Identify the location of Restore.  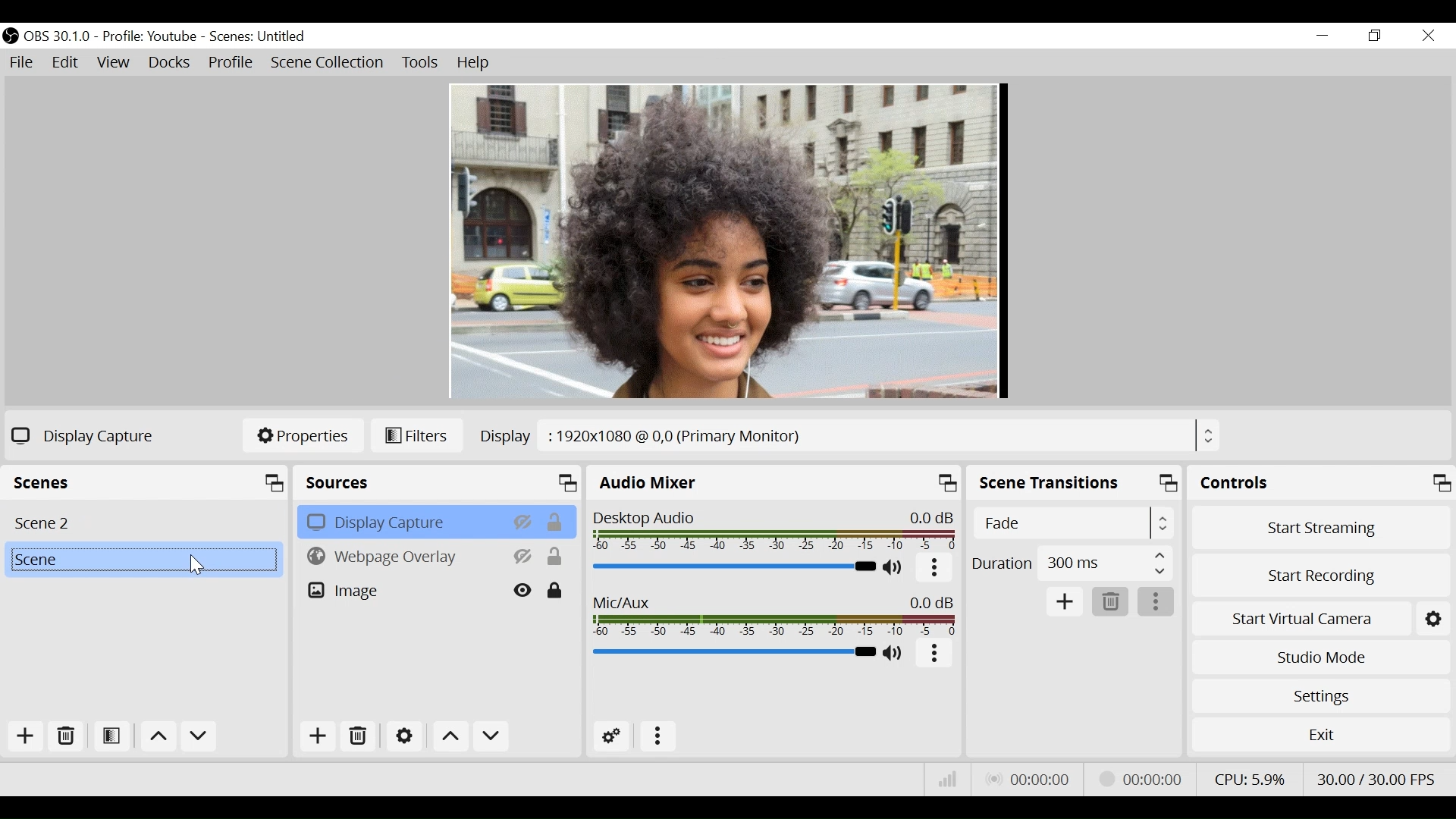
(1375, 36).